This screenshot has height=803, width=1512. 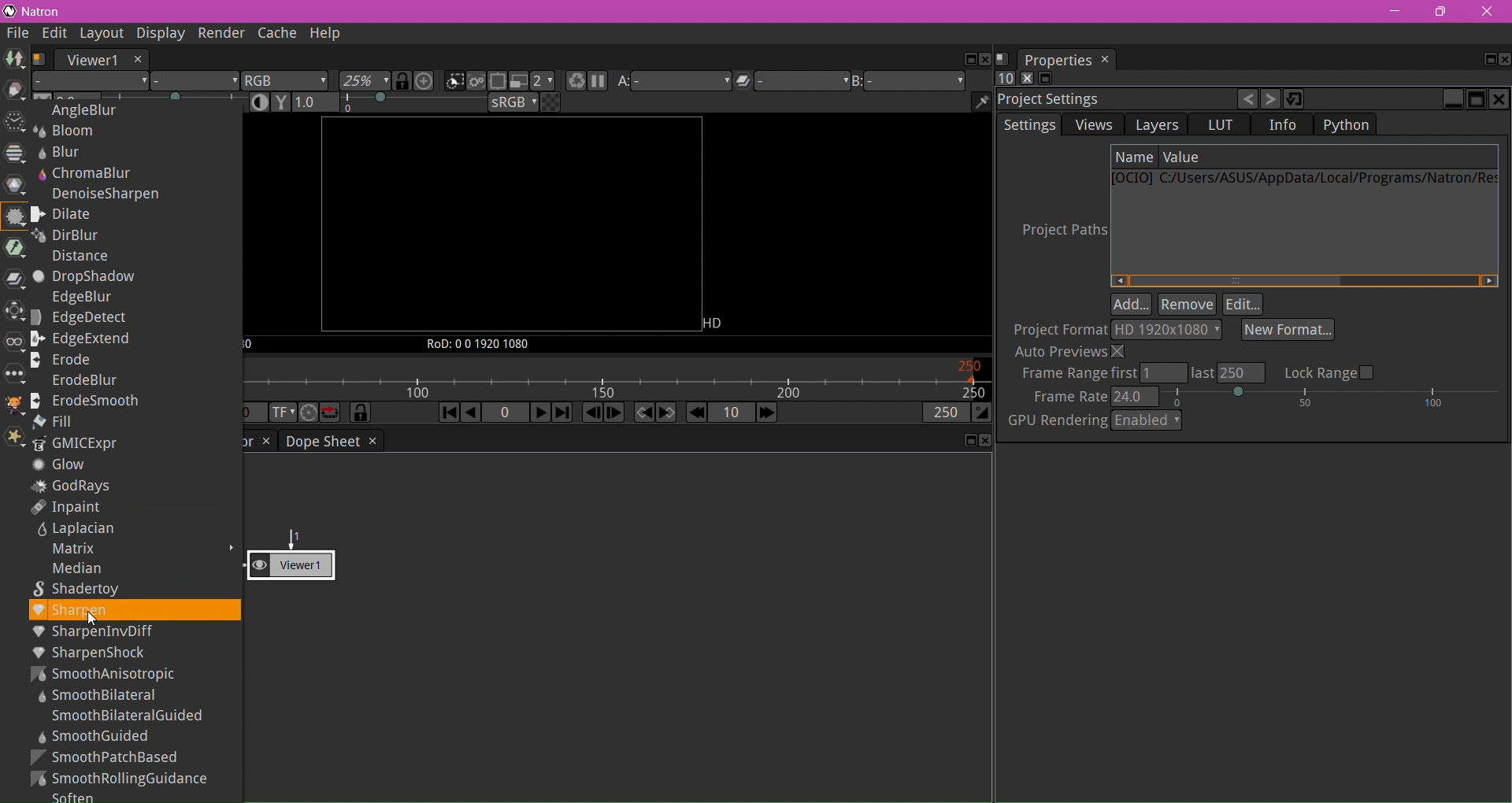 I want to click on Manage layouts for this pane, so click(x=40, y=59).